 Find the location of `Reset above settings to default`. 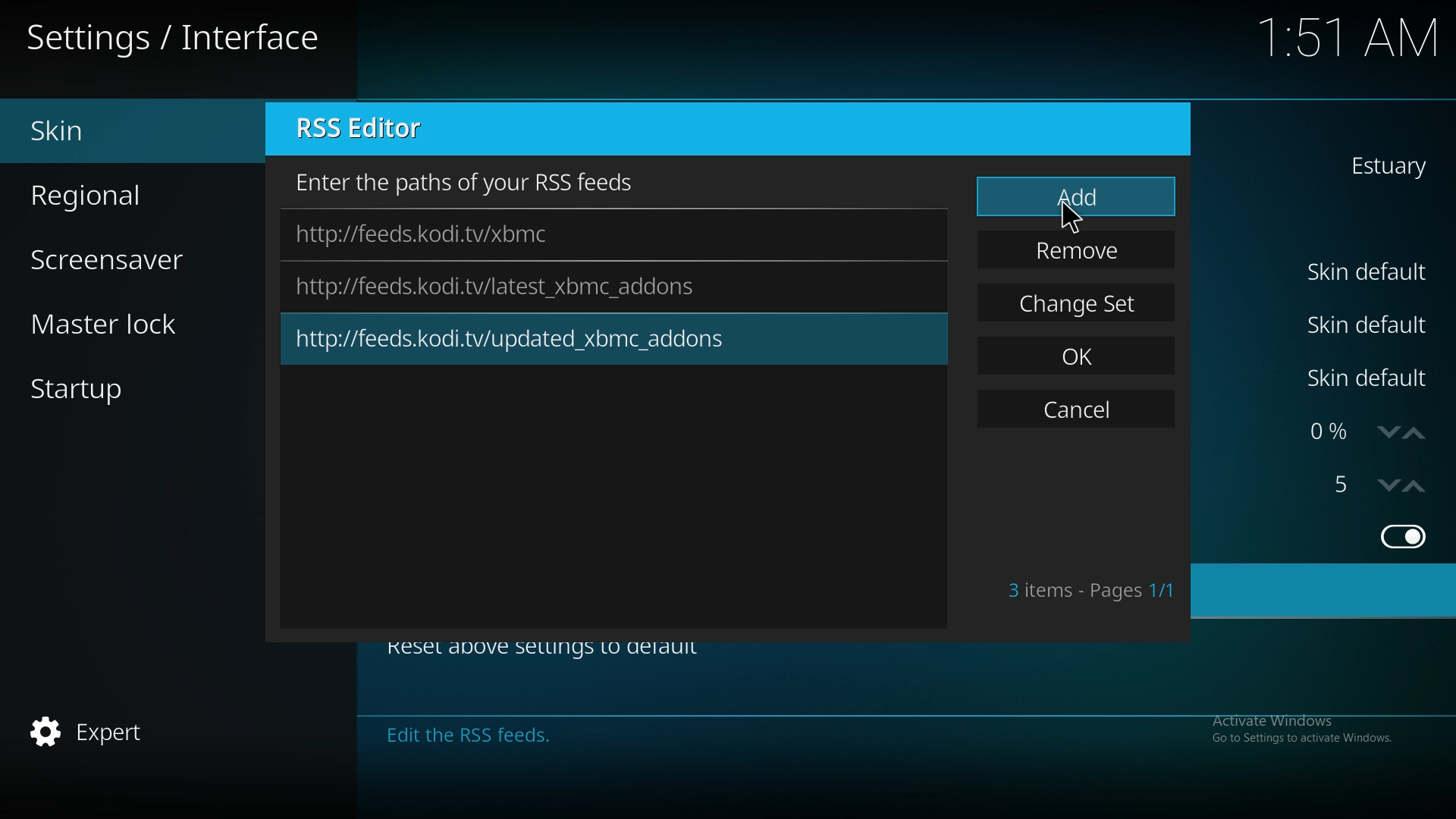

Reset above settings to default is located at coordinates (543, 657).